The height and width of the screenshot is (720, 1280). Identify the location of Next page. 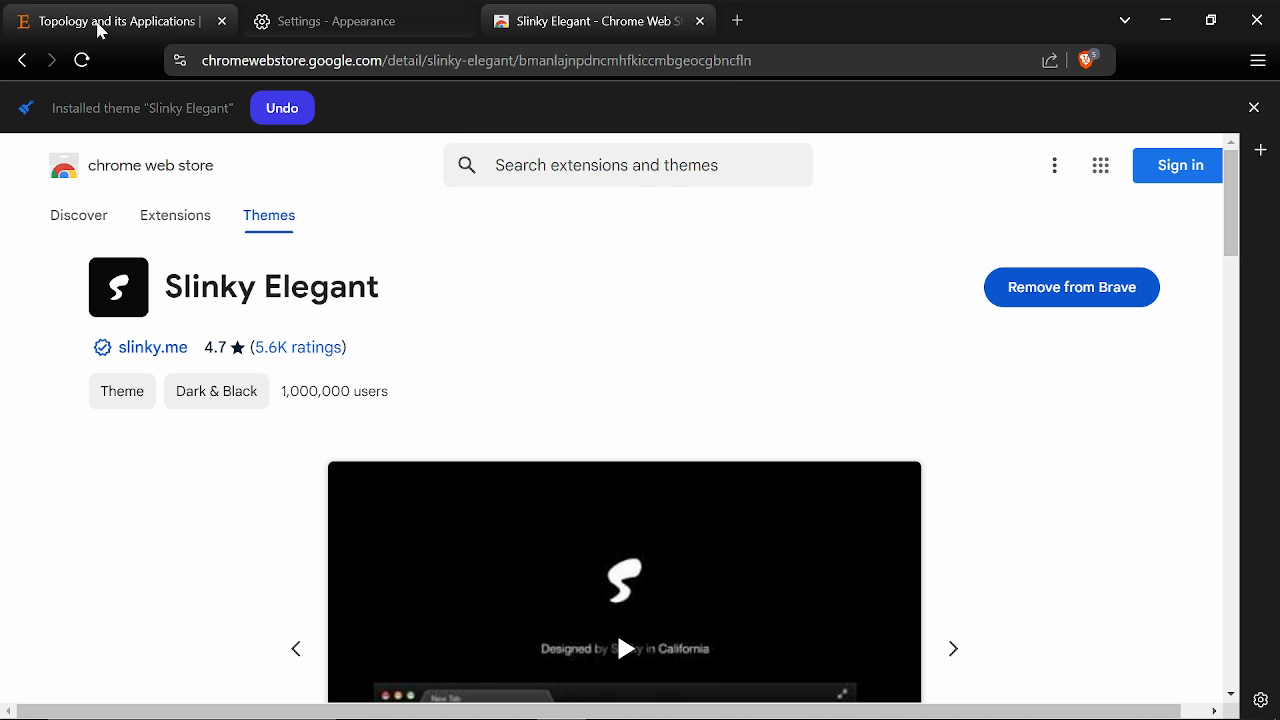
(51, 62).